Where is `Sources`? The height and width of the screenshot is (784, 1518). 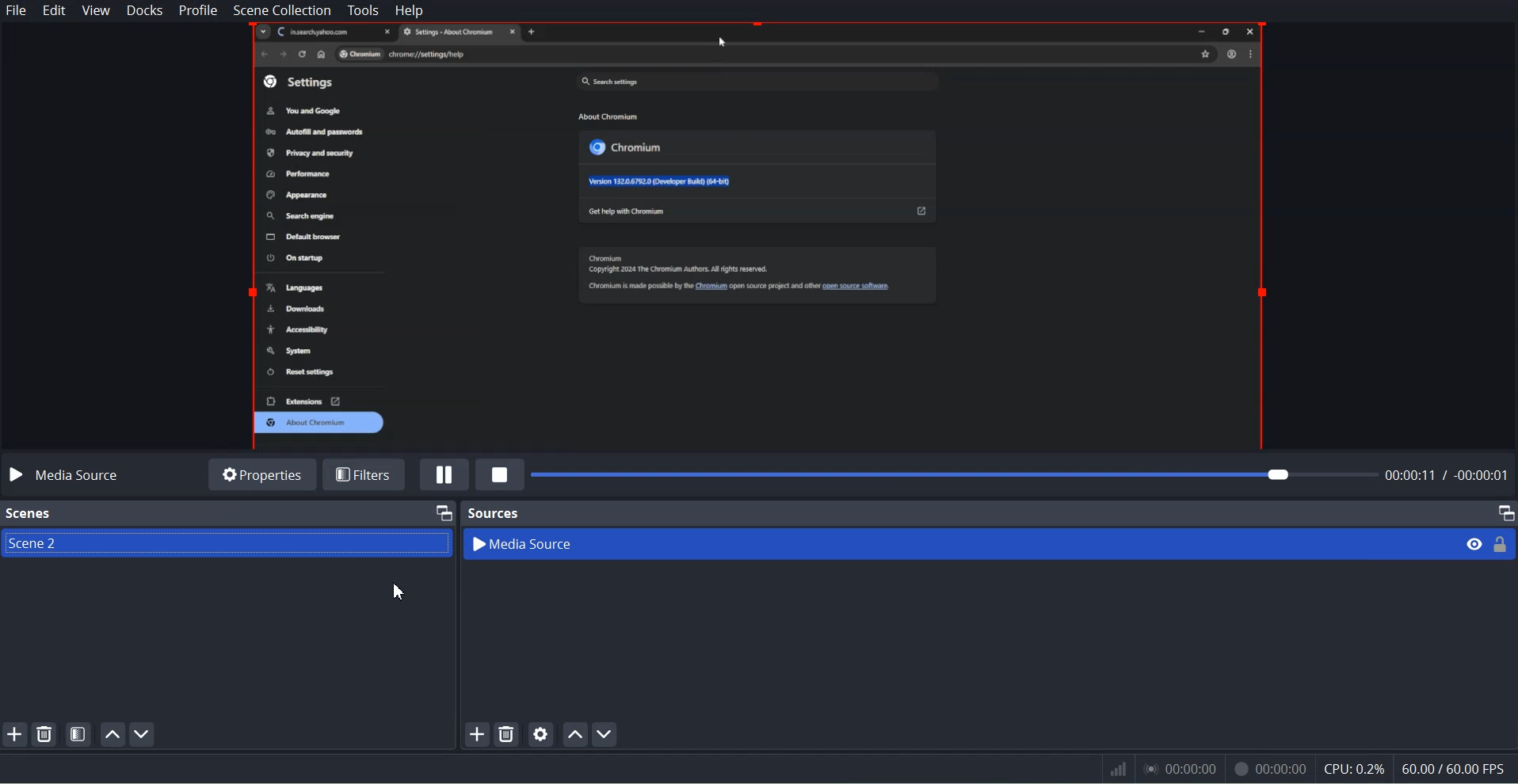 Sources is located at coordinates (492, 513).